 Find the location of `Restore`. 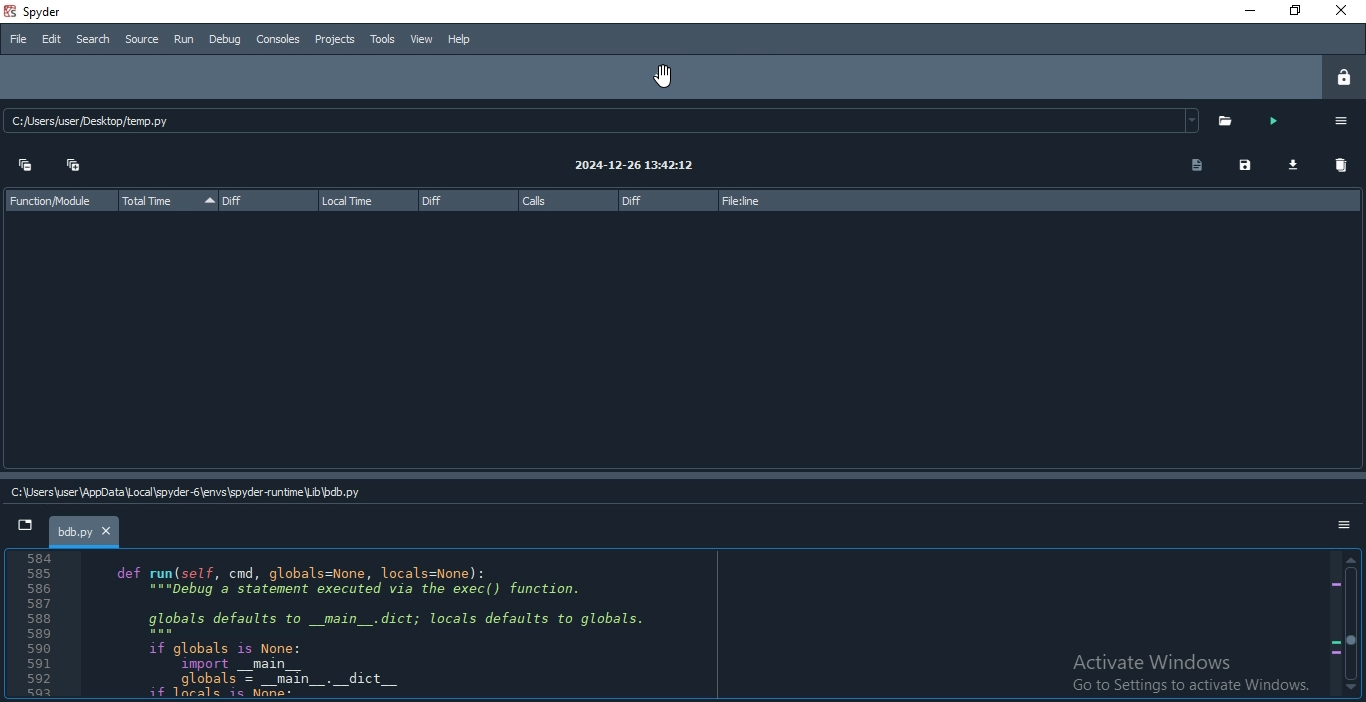

Restore is located at coordinates (1295, 11).